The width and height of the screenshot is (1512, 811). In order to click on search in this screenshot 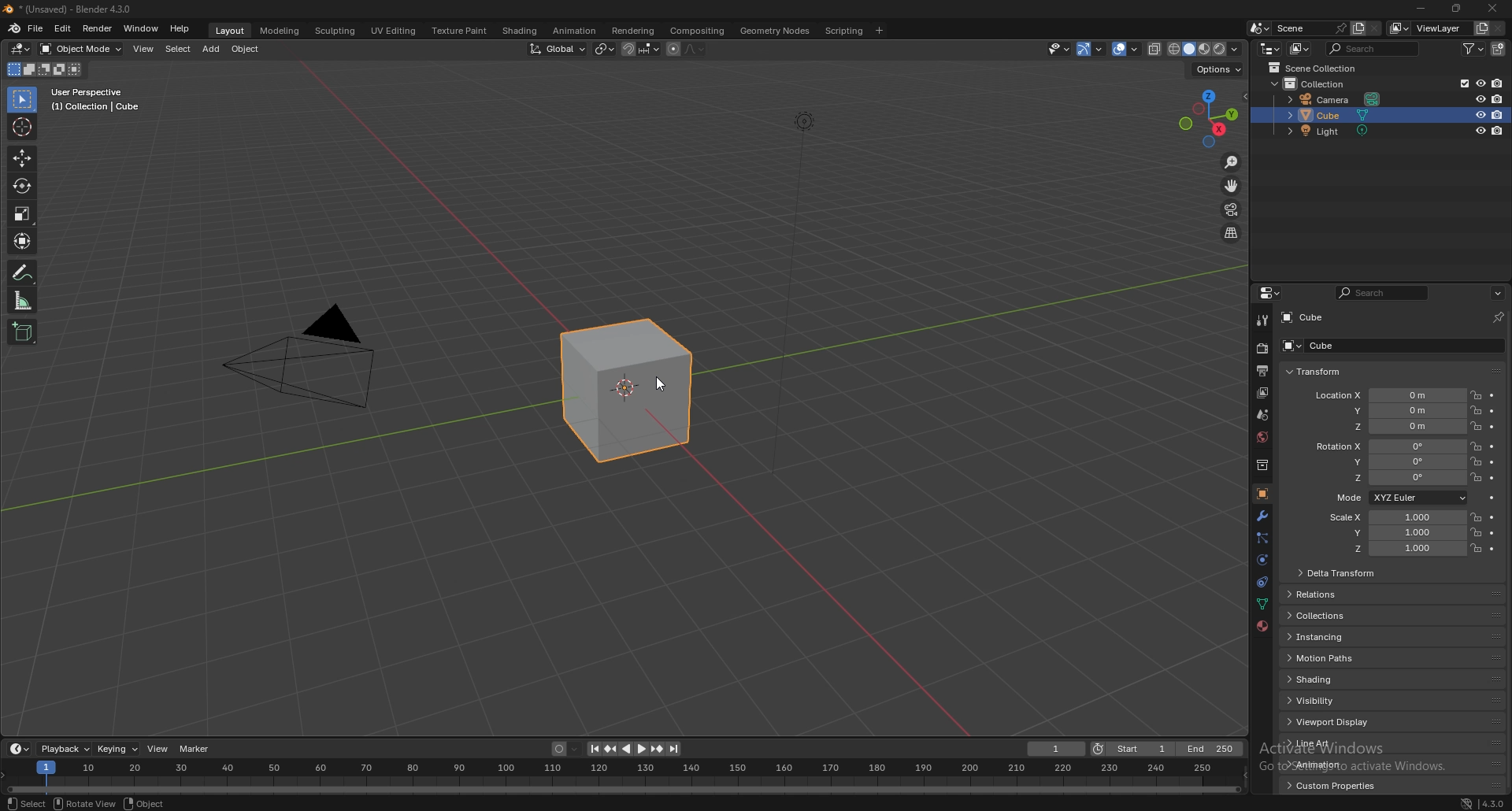, I will do `click(1373, 47)`.